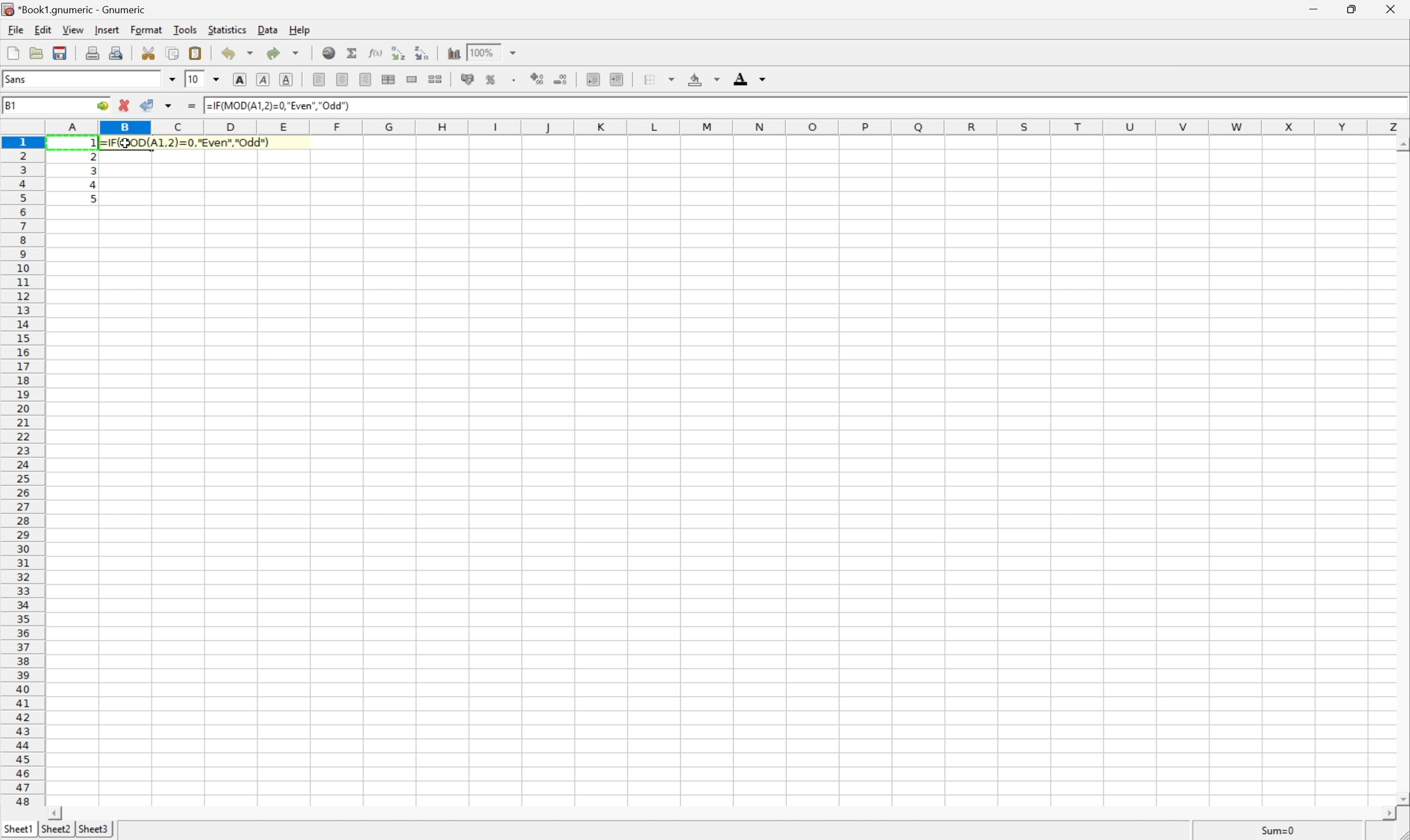  What do you see at coordinates (239, 53) in the screenshot?
I see `Undo` at bounding box center [239, 53].